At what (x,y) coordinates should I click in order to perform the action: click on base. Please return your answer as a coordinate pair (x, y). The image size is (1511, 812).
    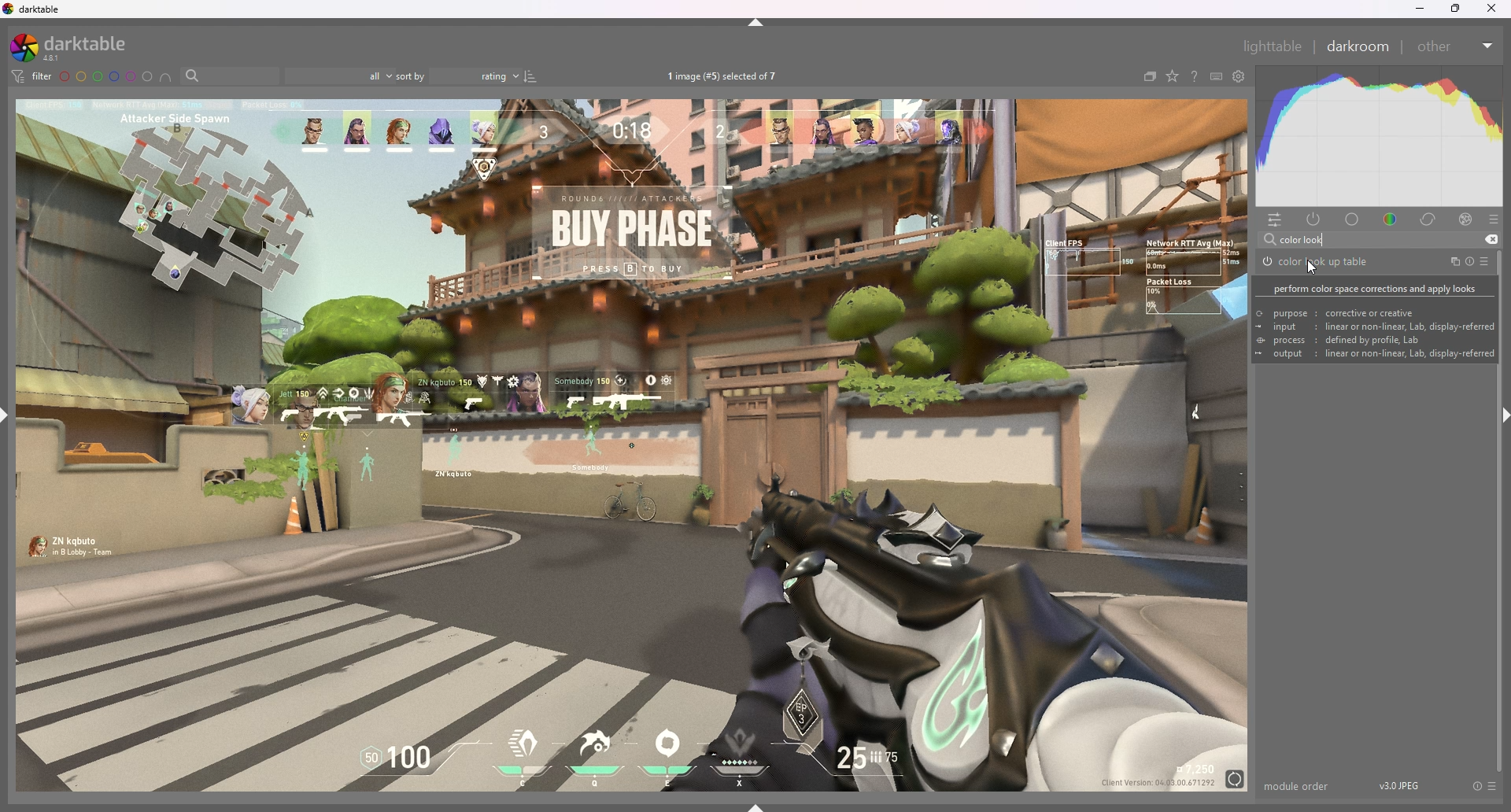
    Looking at the image, I should click on (1354, 219).